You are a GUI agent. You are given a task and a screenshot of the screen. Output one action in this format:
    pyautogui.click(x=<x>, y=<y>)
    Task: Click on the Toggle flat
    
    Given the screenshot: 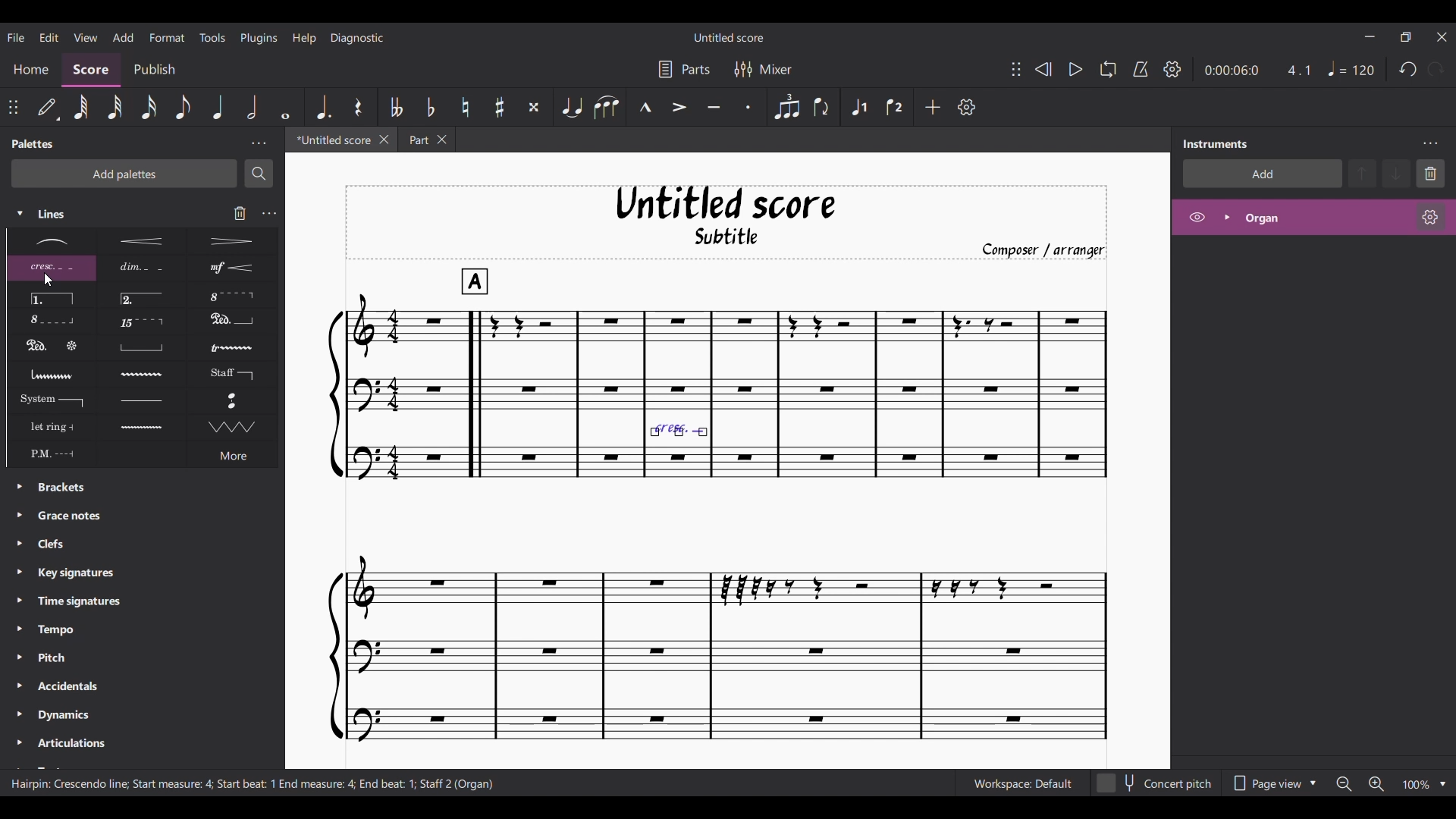 What is the action you would take?
    pyautogui.click(x=430, y=107)
    